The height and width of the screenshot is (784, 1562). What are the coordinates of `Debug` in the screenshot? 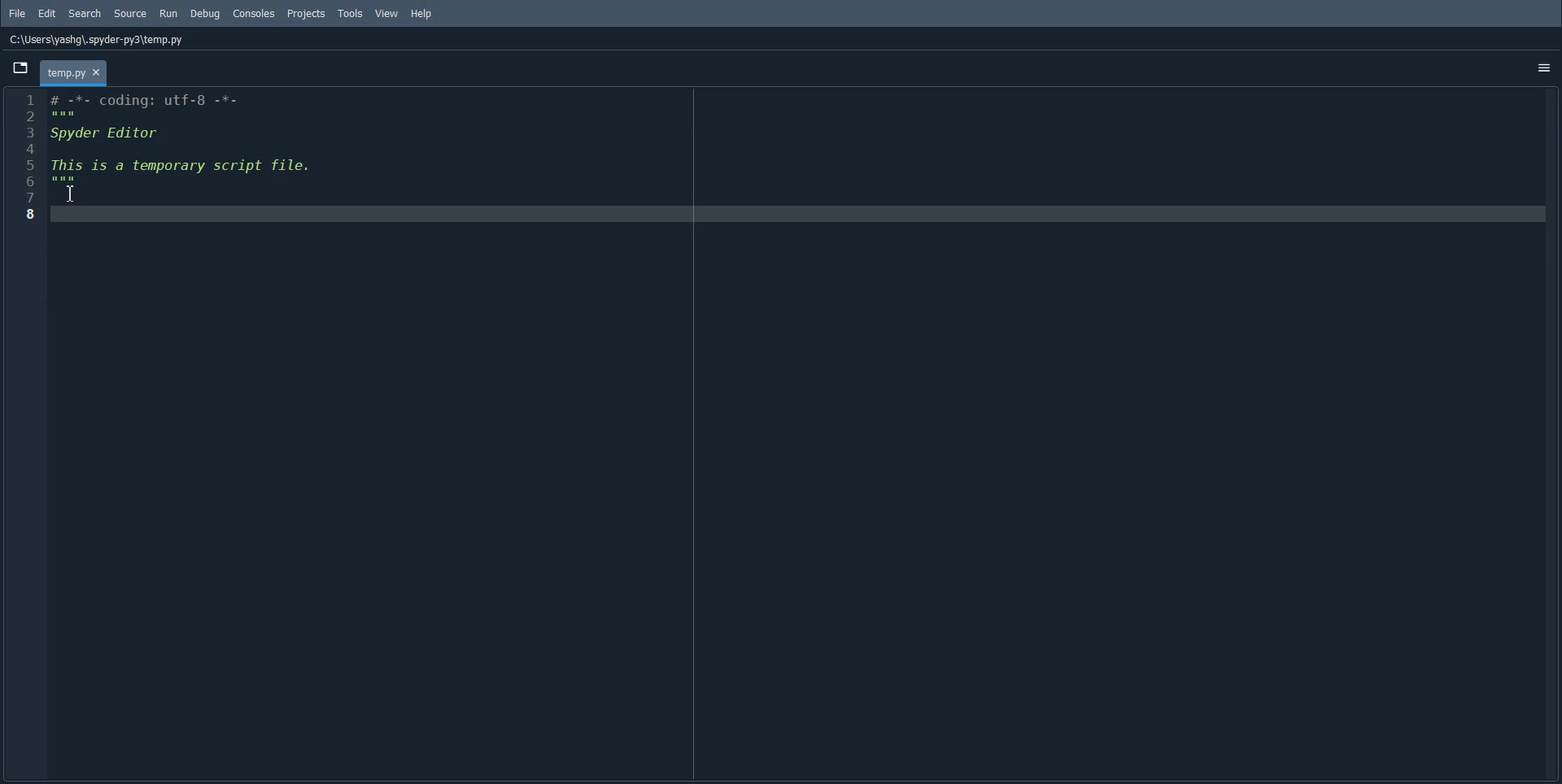 It's located at (209, 15).